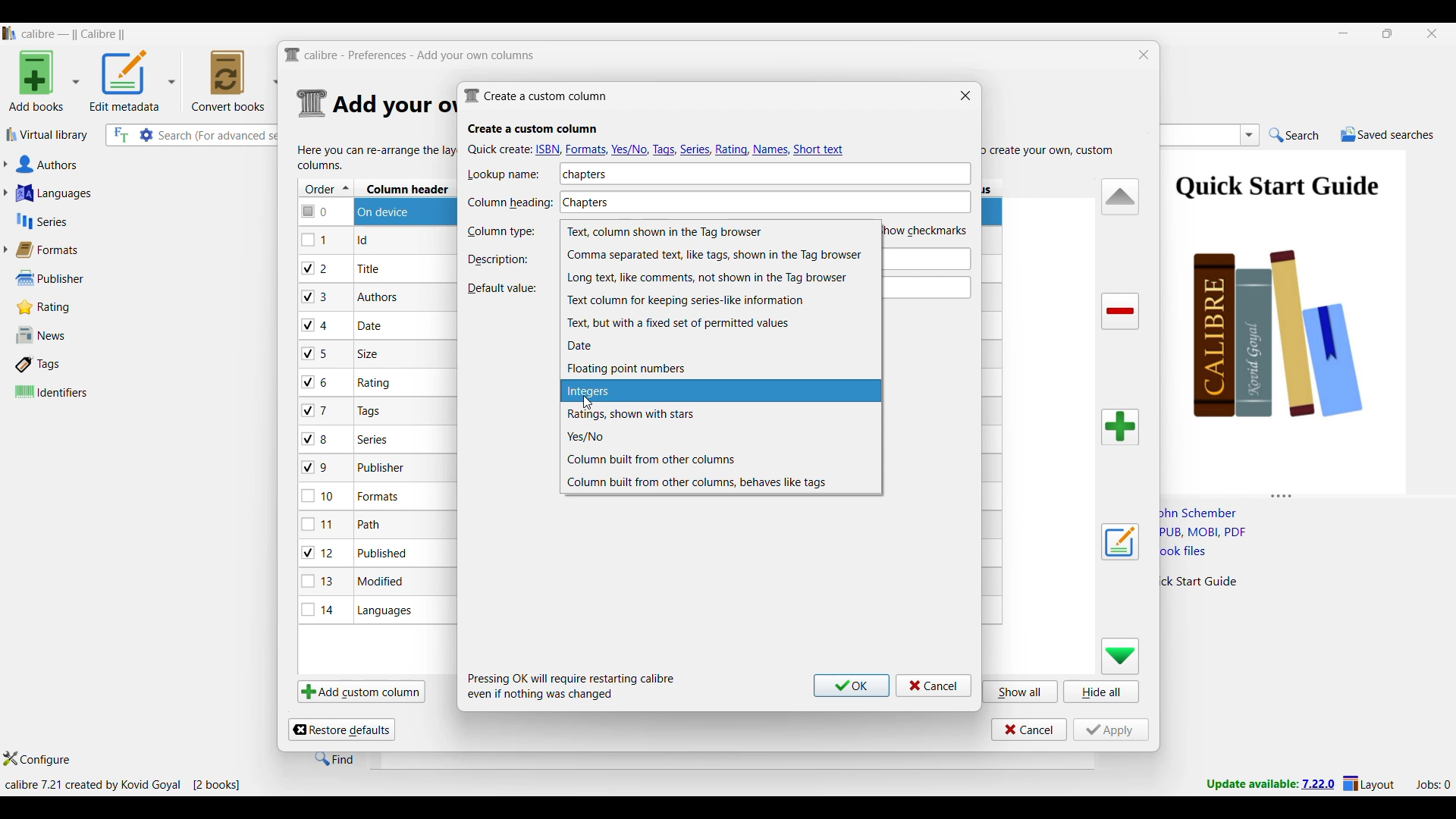 The height and width of the screenshot is (819, 1456). What do you see at coordinates (67, 278) in the screenshot?
I see `Publisher` at bounding box center [67, 278].